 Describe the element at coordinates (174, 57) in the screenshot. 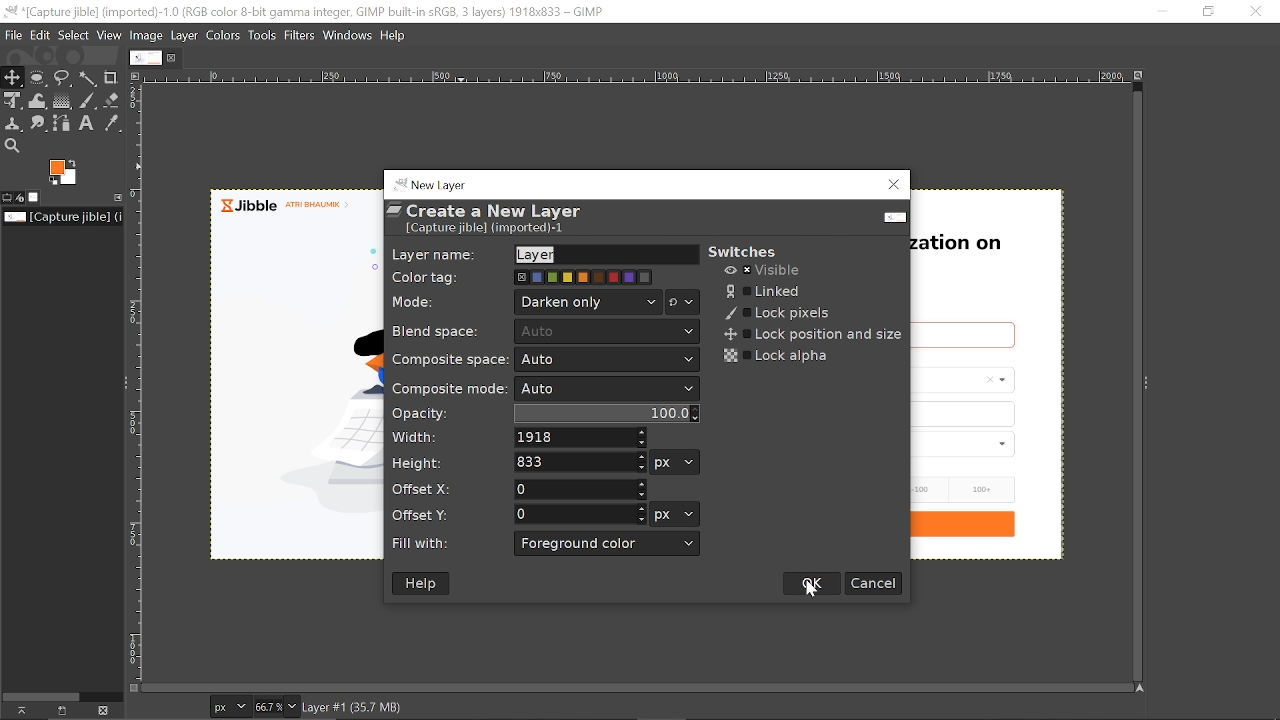

I see `Close tab` at that location.